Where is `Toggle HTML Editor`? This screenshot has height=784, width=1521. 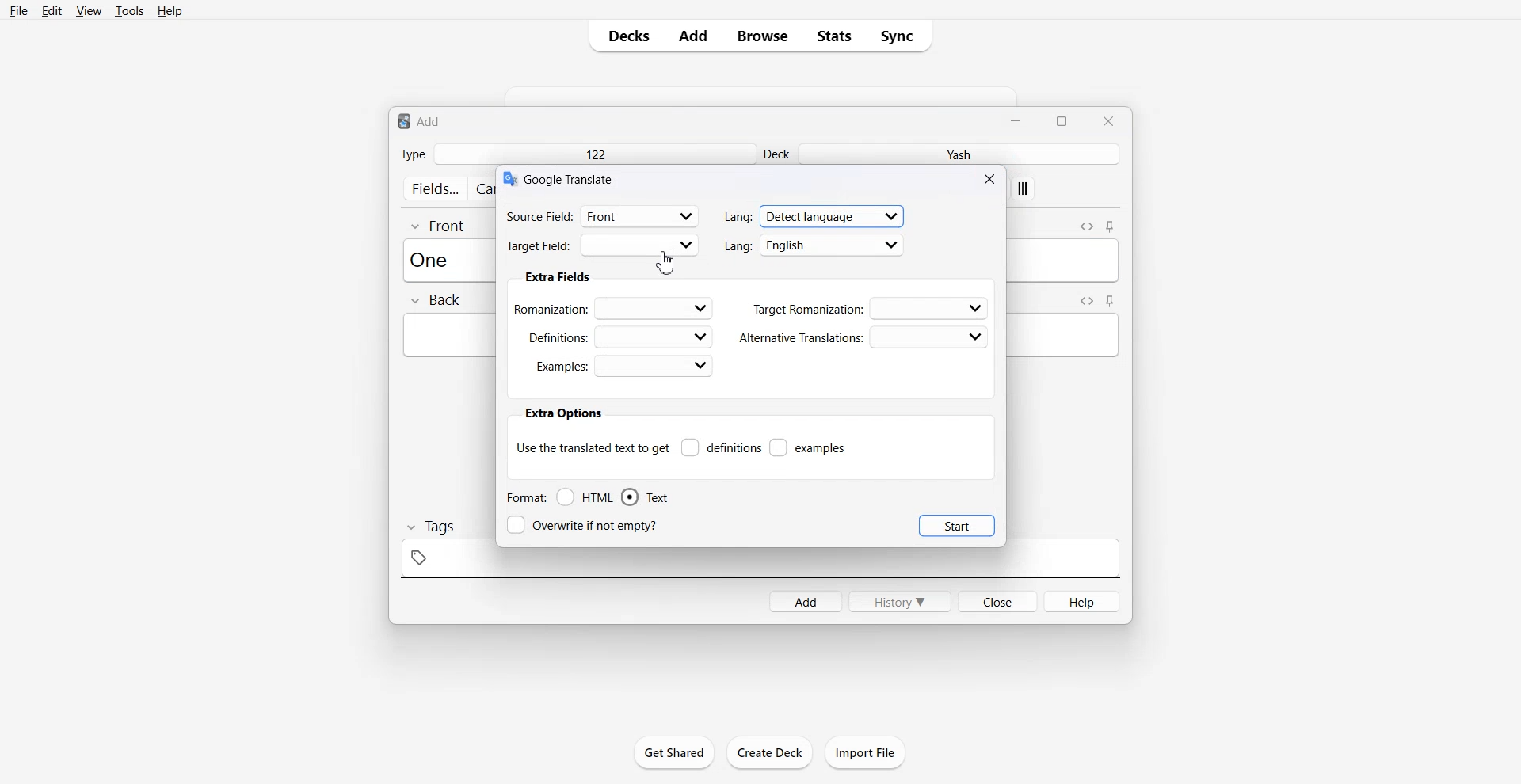 Toggle HTML Editor is located at coordinates (1084, 300).